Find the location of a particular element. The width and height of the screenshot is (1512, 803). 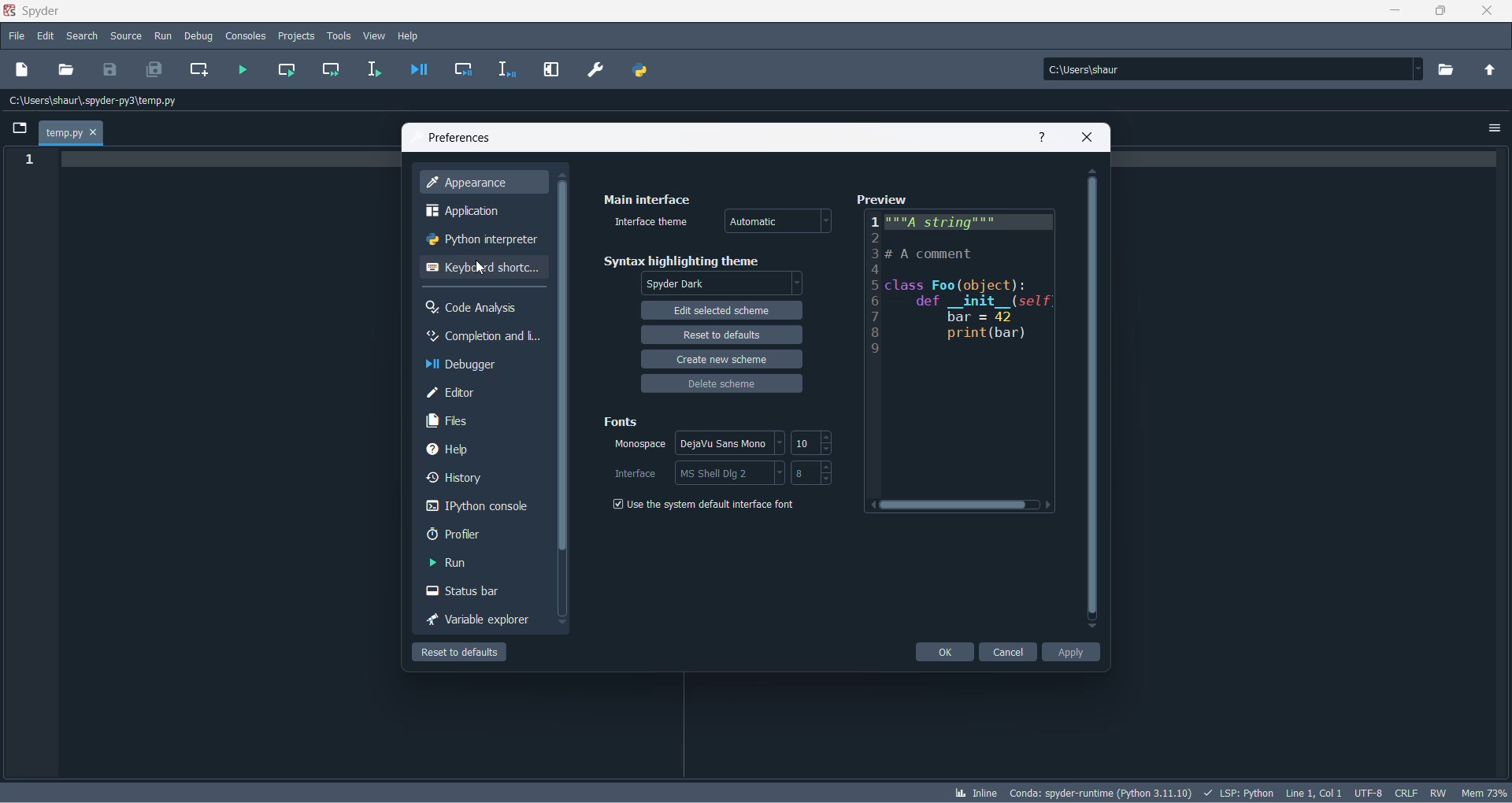

tools is located at coordinates (339, 35).